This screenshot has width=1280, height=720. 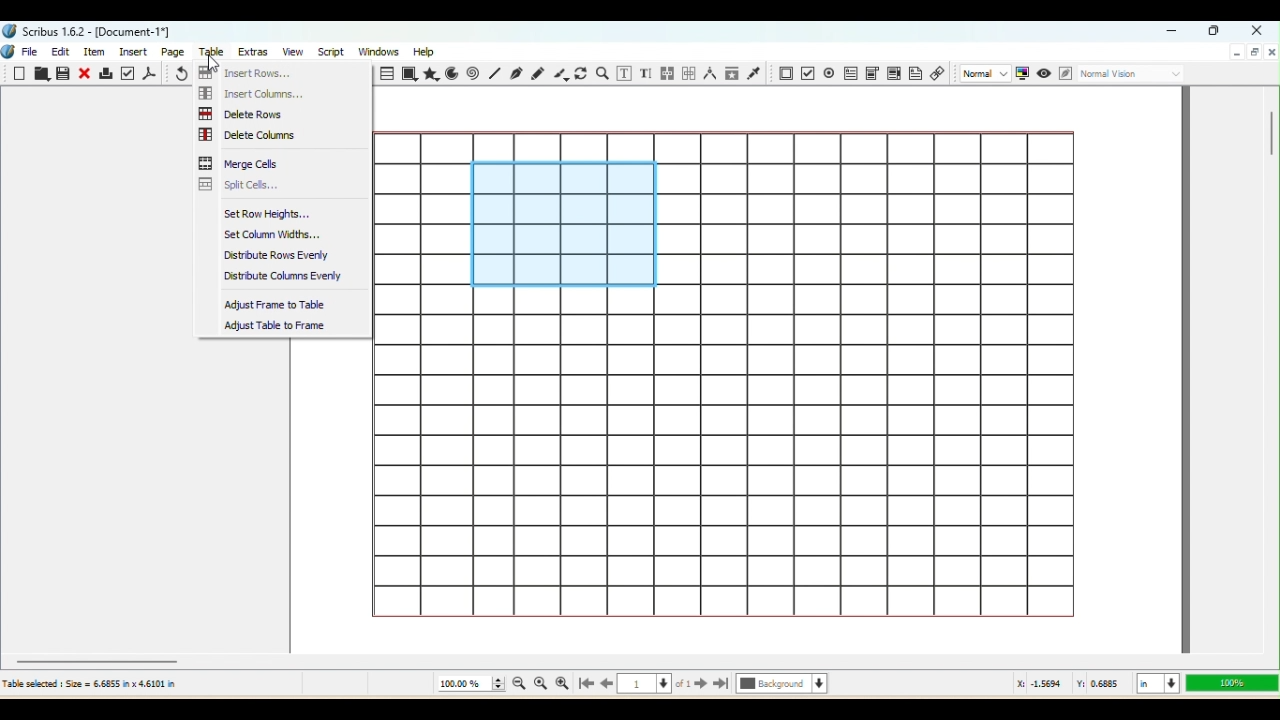 I want to click on Text Annotation, so click(x=915, y=76).